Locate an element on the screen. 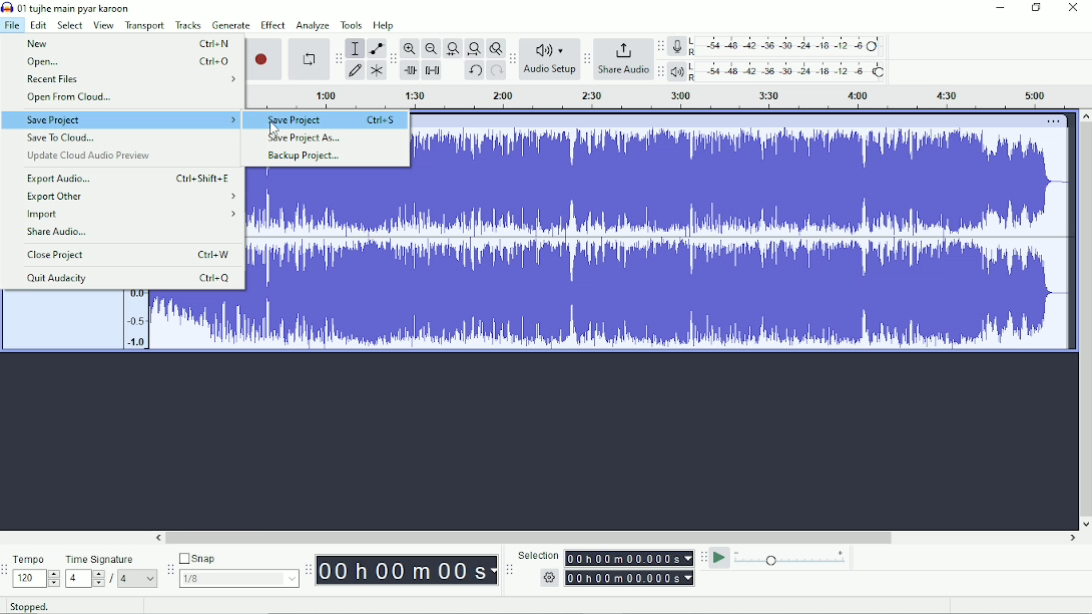 This screenshot has width=1092, height=614. Audacity play-at-speed toolbar is located at coordinates (703, 558).